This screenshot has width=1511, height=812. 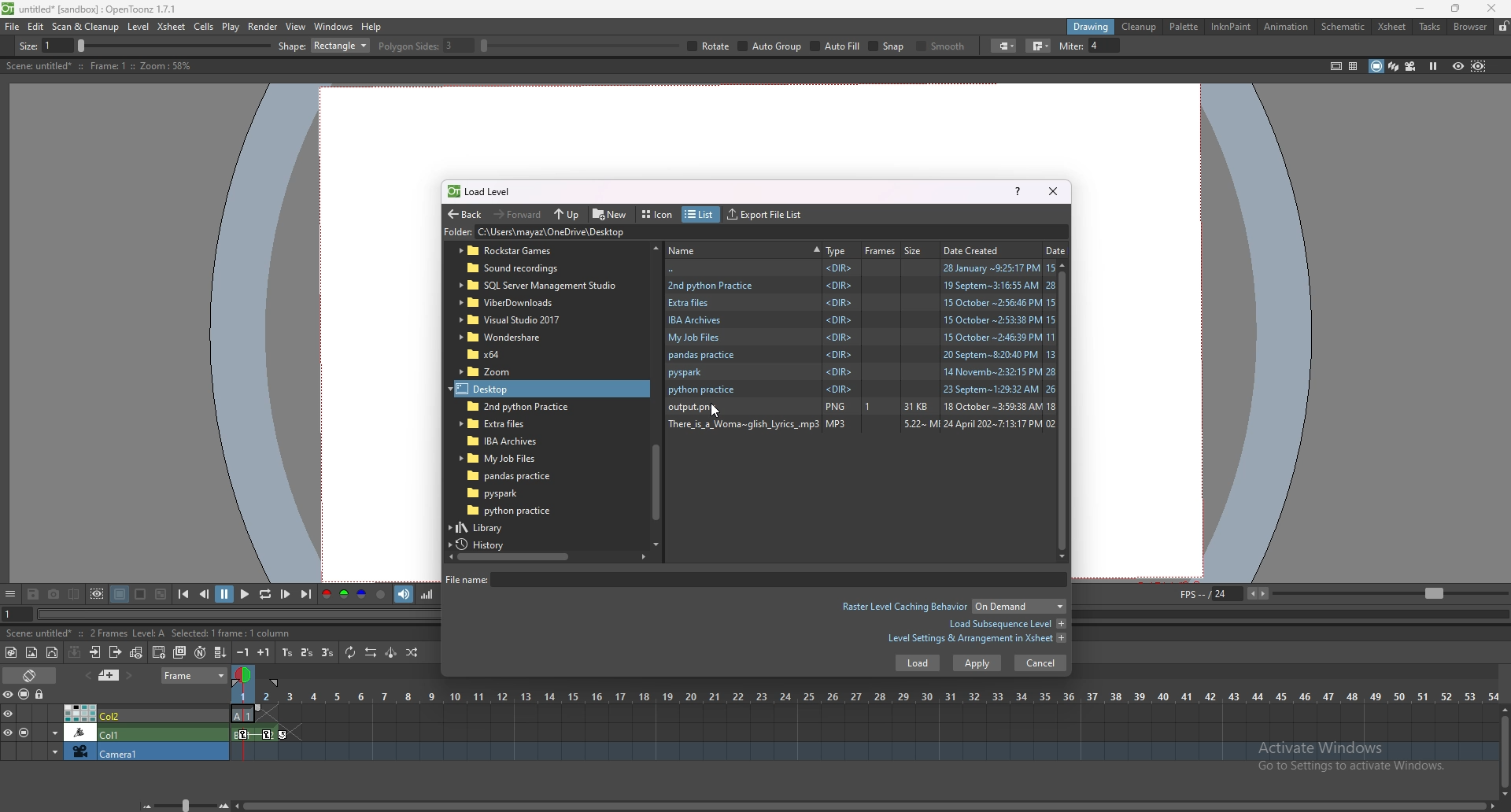 What do you see at coordinates (242, 612) in the screenshot?
I see `animation player` at bounding box center [242, 612].